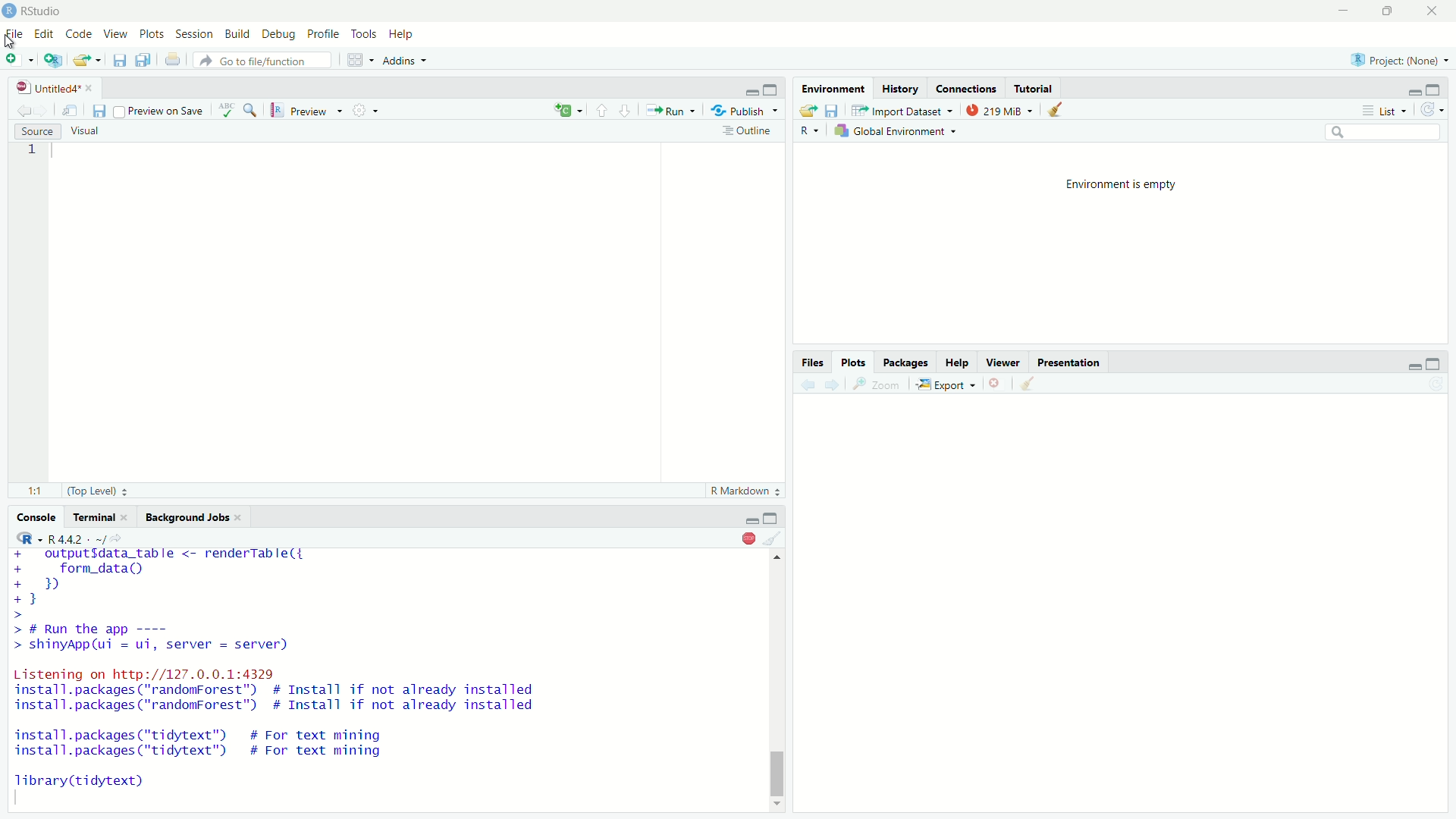 The width and height of the screenshot is (1456, 819). I want to click on minimize, so click(773, 517).